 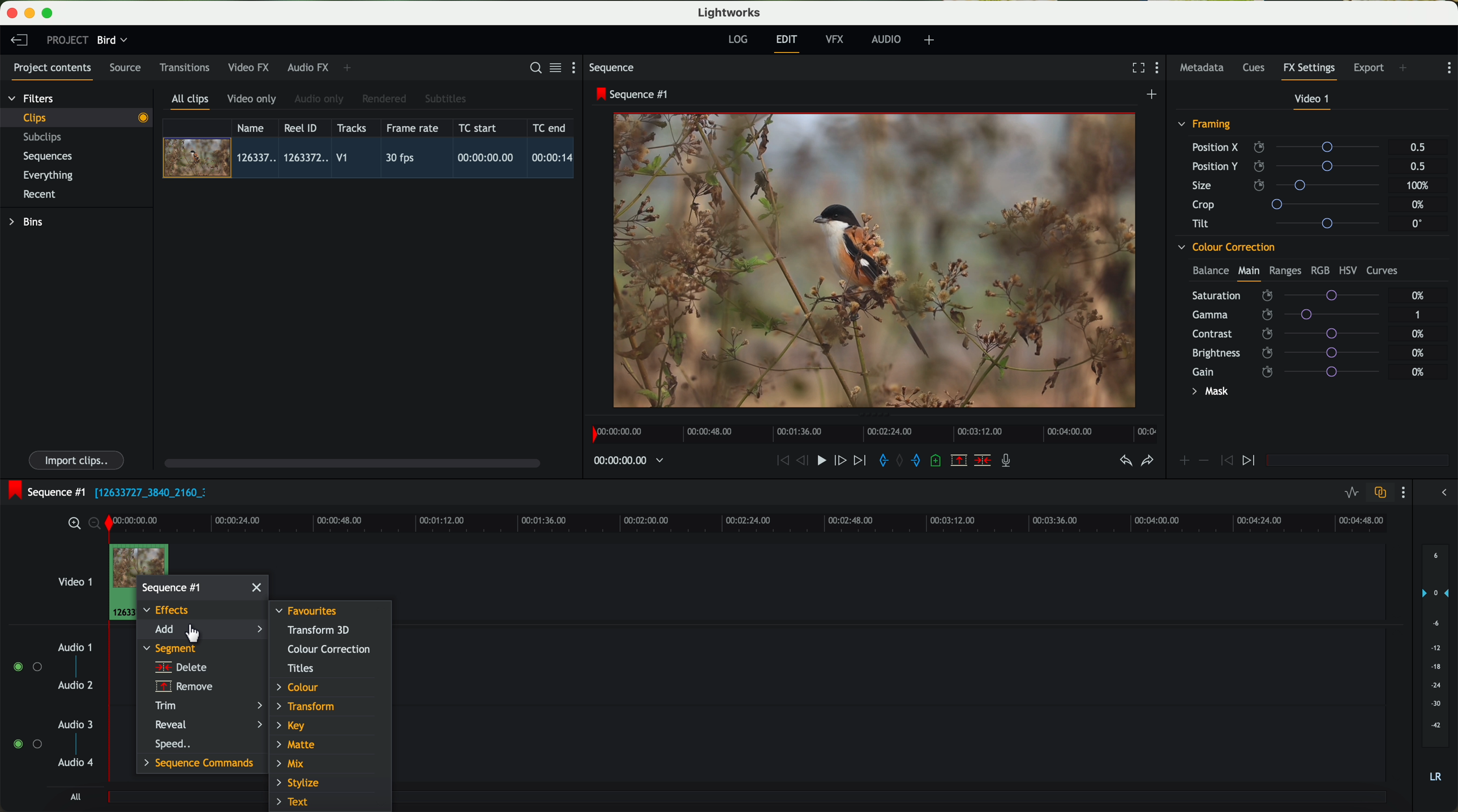 What do you see at coordinates (300, 687) in the screenshot?
I see `colour` at bounding box center [300, 687].